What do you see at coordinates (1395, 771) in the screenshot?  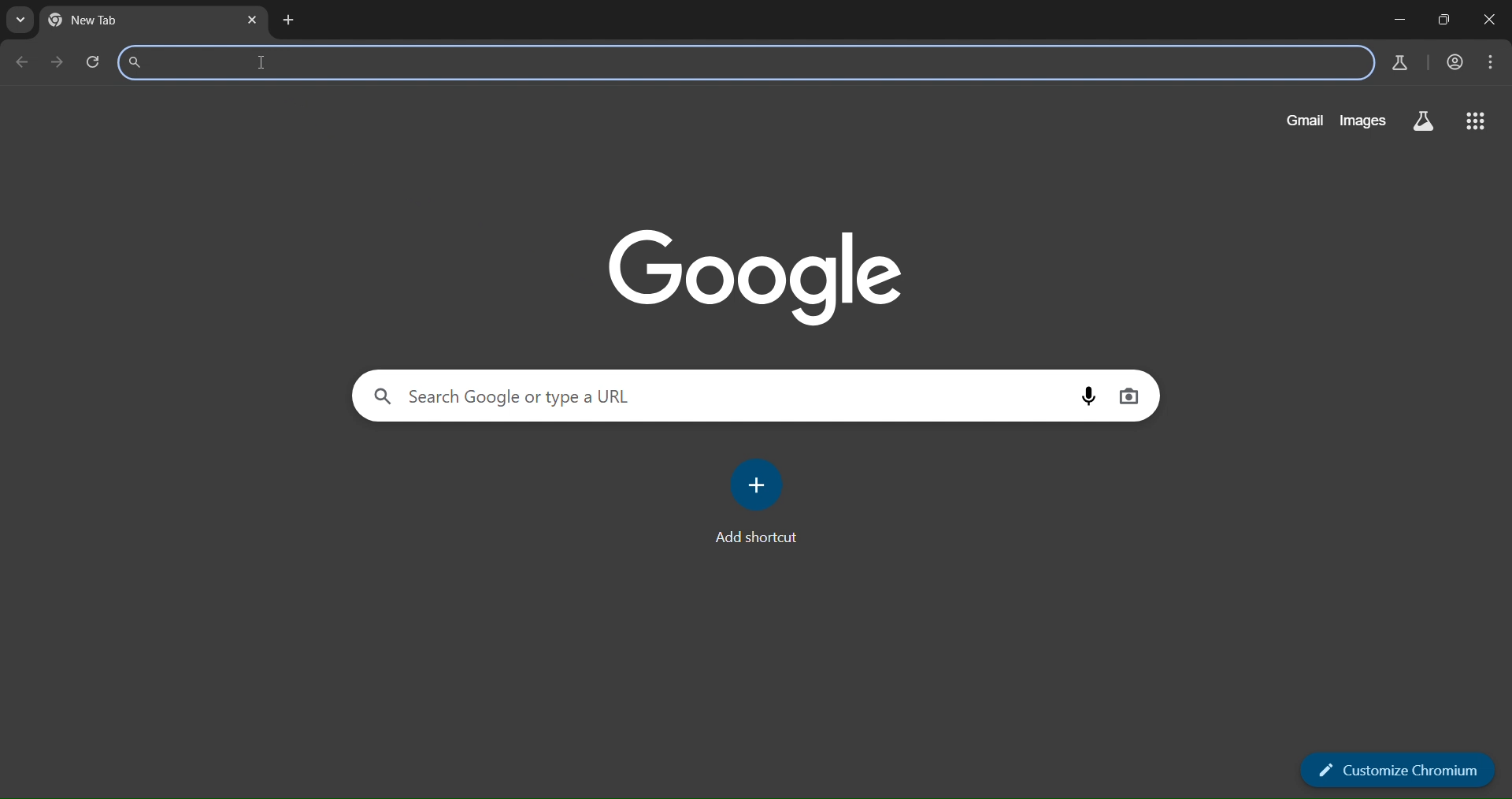 I see `customize chromium` at bounding box center [1395, 771].